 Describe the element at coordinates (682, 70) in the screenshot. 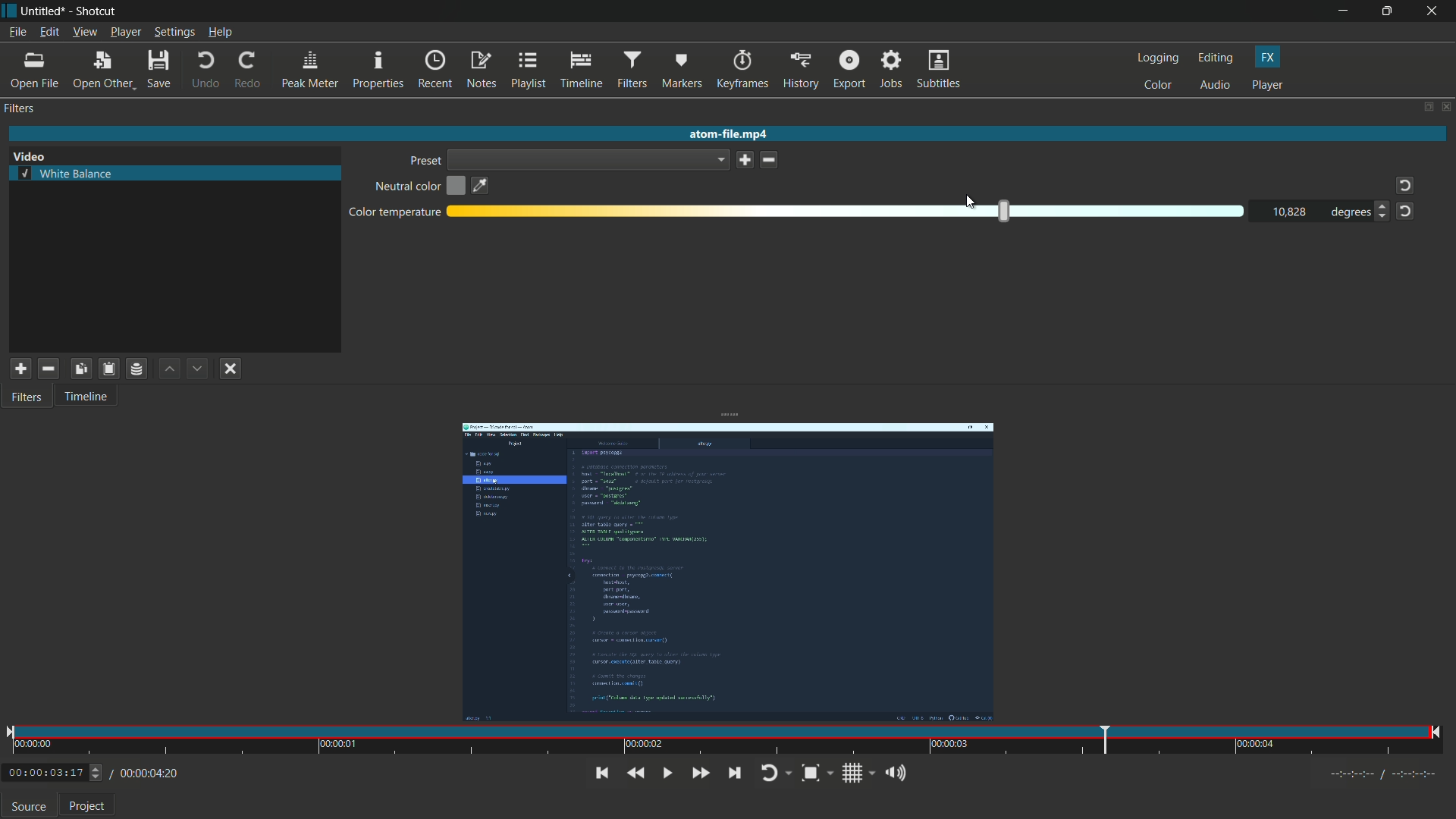

I see `markers` at that location.